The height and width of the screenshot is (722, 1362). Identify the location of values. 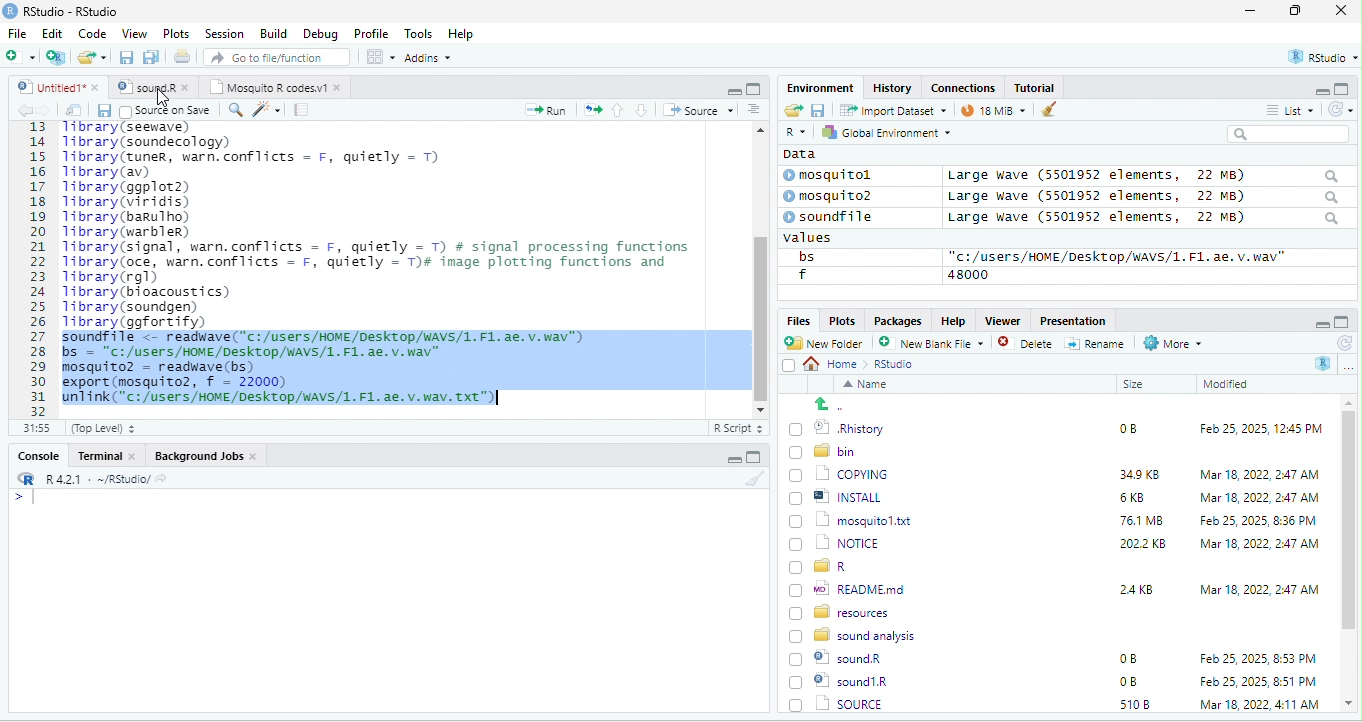
(818, 238).